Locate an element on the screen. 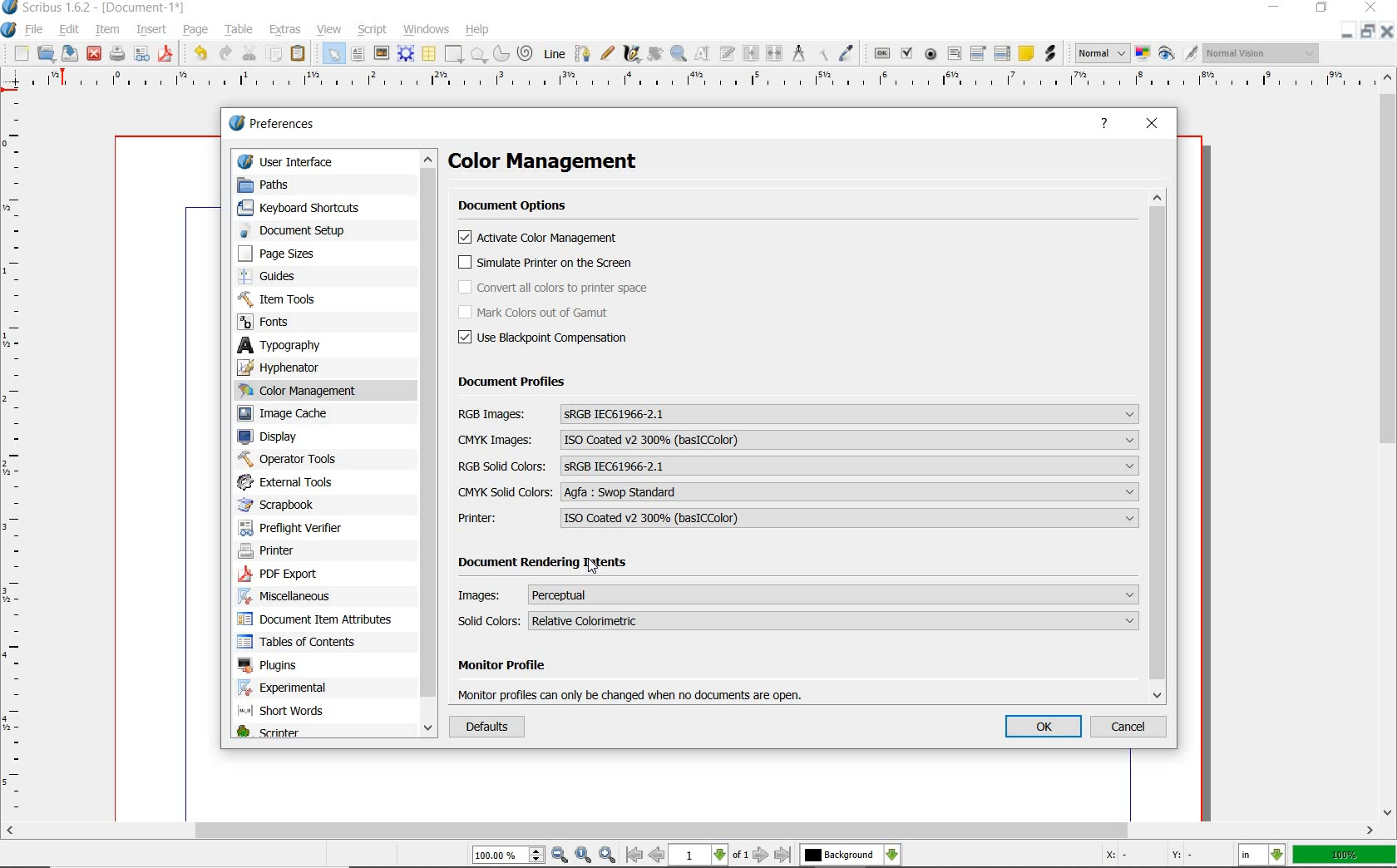  typography is located at coordinates (311, 346).